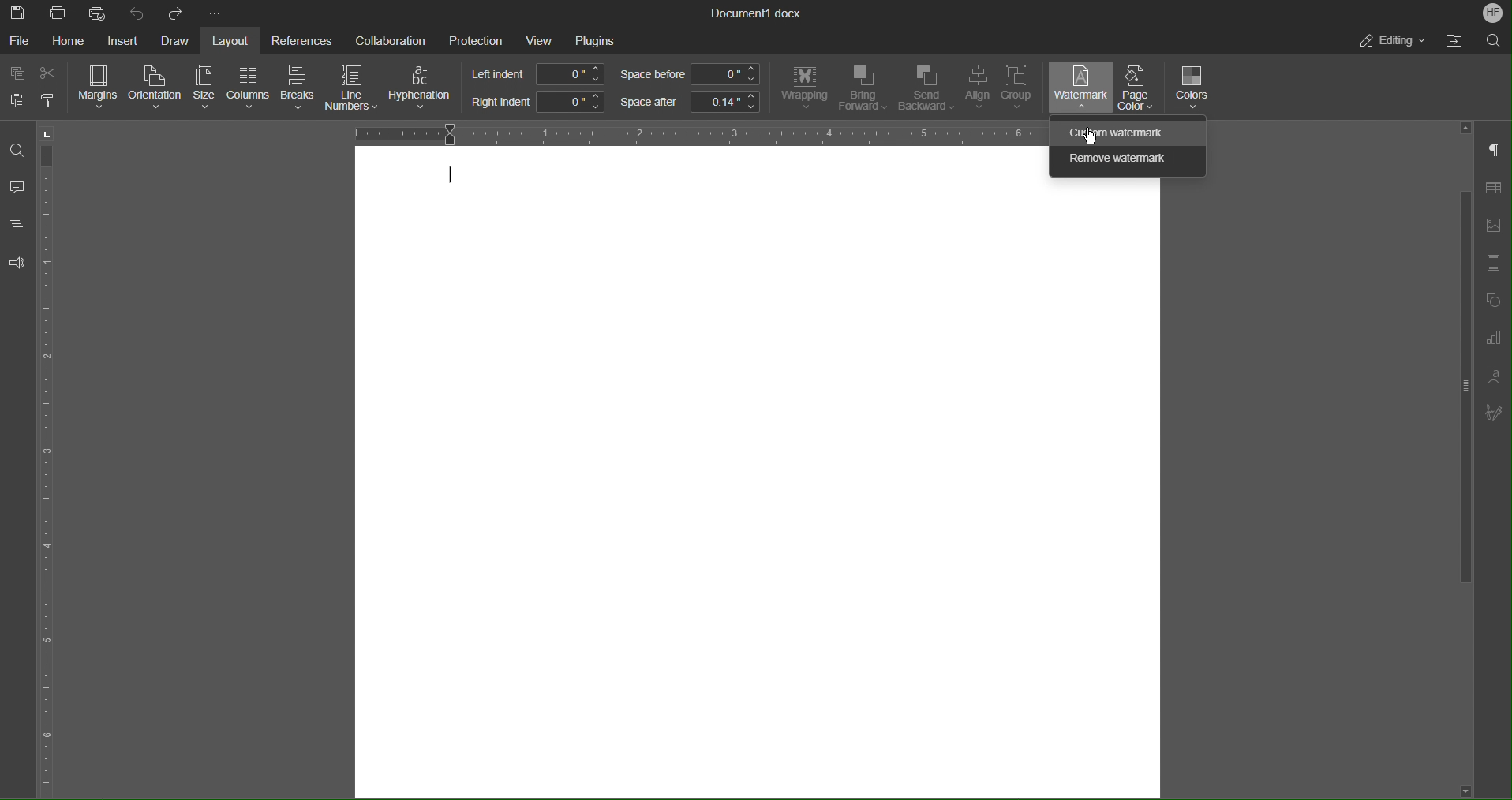  Describe the element at coordinates (689, 75) in the screenshot. I see `Space before` at that location.